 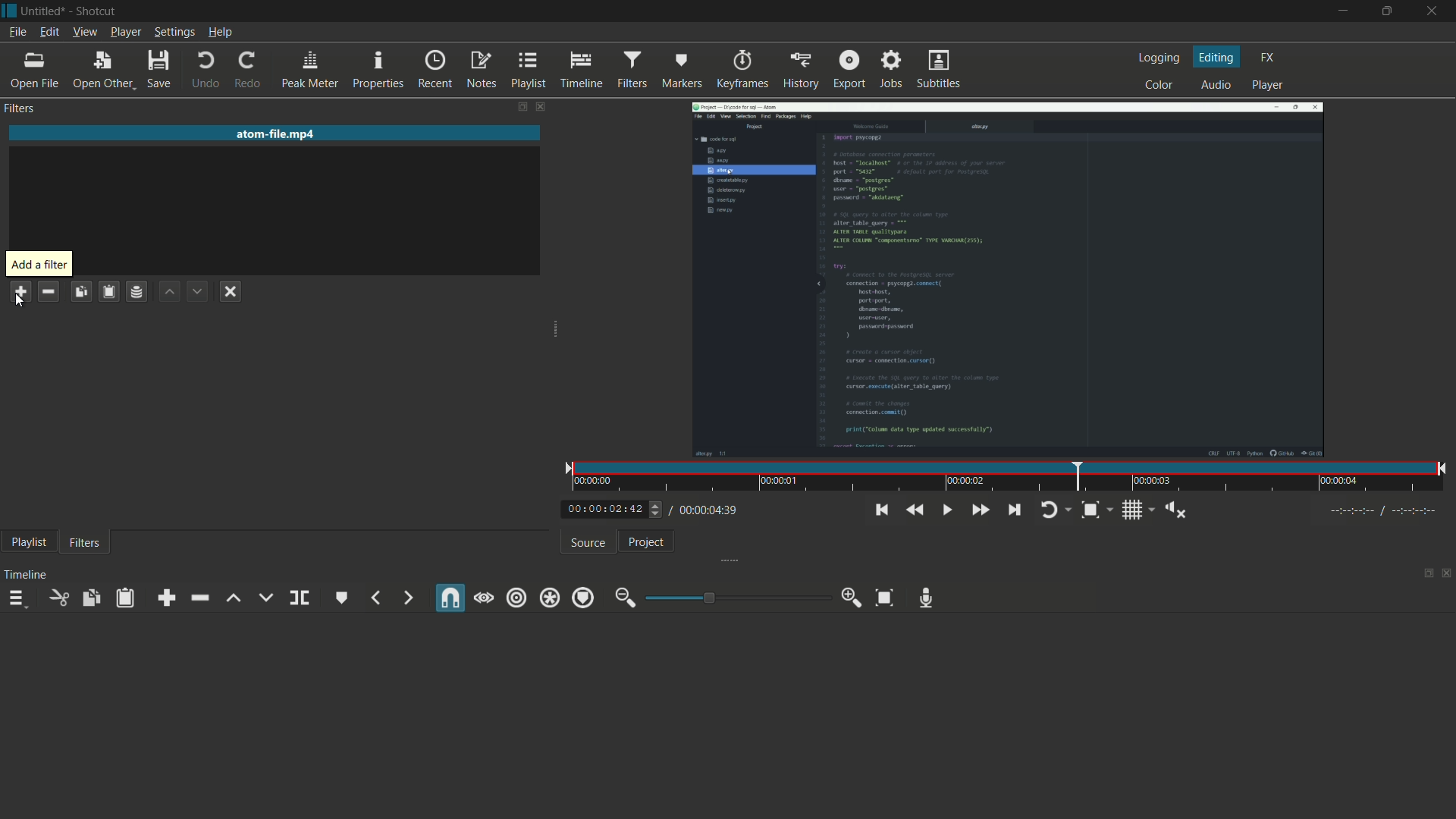 What do you see at coordinates (1269, 56) in the screenshot?
I see `fx` at bounding box center [1269, 56].